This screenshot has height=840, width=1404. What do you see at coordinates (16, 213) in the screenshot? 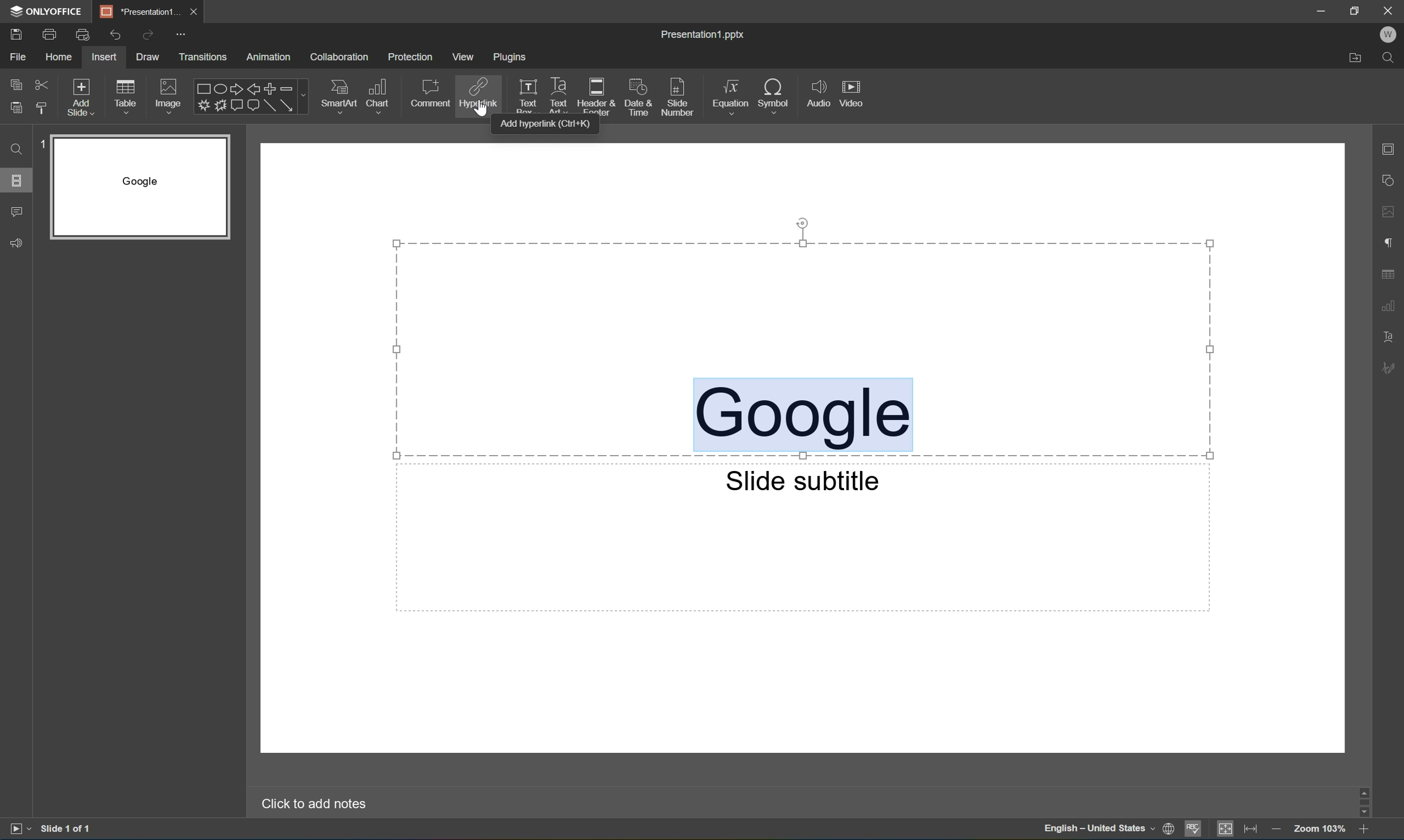
I see `Comments` at bounding box center [16, 213].